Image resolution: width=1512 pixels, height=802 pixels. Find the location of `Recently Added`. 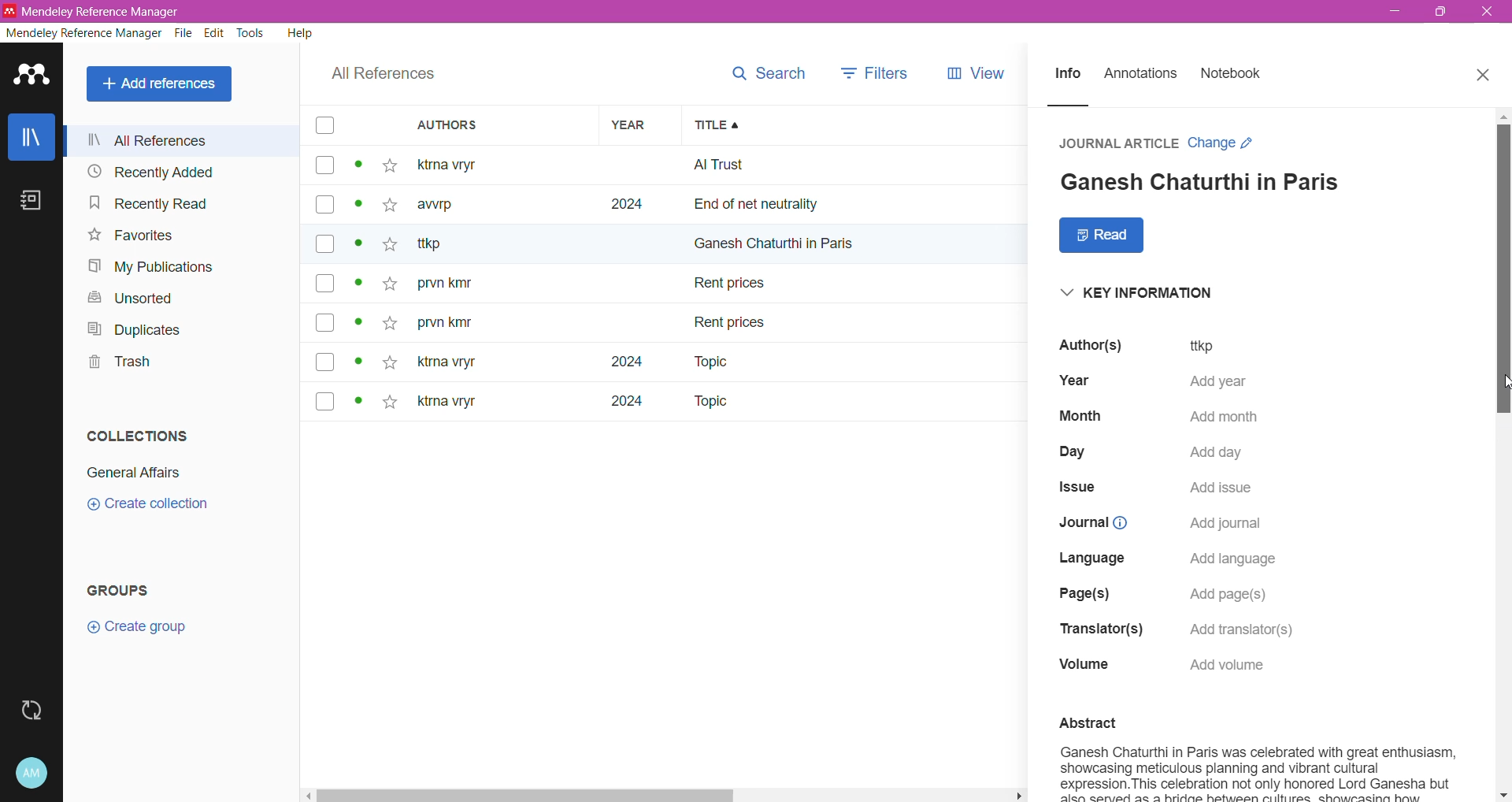

Recently Added is located at coordinates (152, 173).